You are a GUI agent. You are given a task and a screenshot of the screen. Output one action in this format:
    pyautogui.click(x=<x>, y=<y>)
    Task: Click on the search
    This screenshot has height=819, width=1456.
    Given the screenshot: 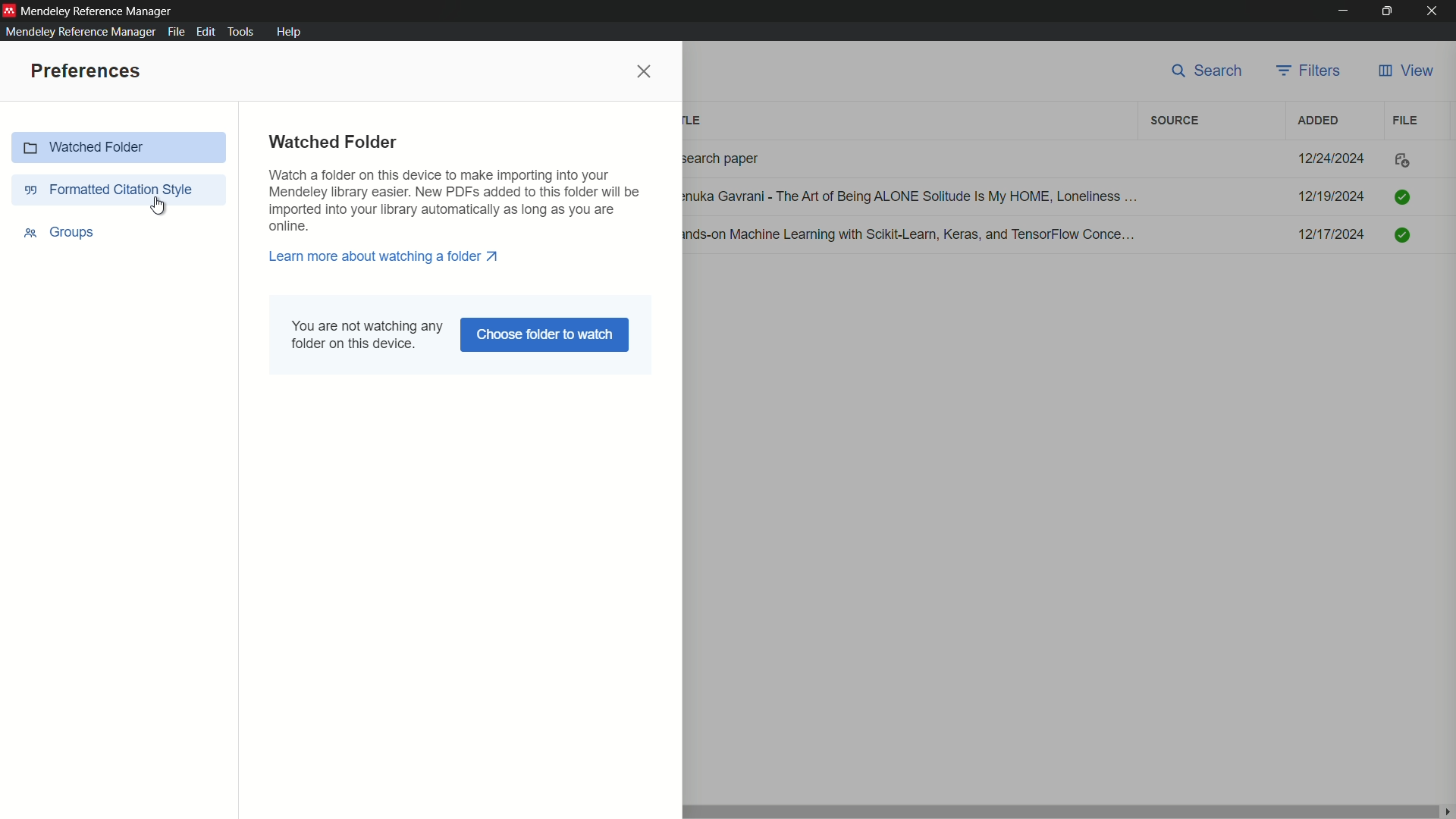 What is the action you would take?
    pyautogui.click(x=1209, y=72)
    